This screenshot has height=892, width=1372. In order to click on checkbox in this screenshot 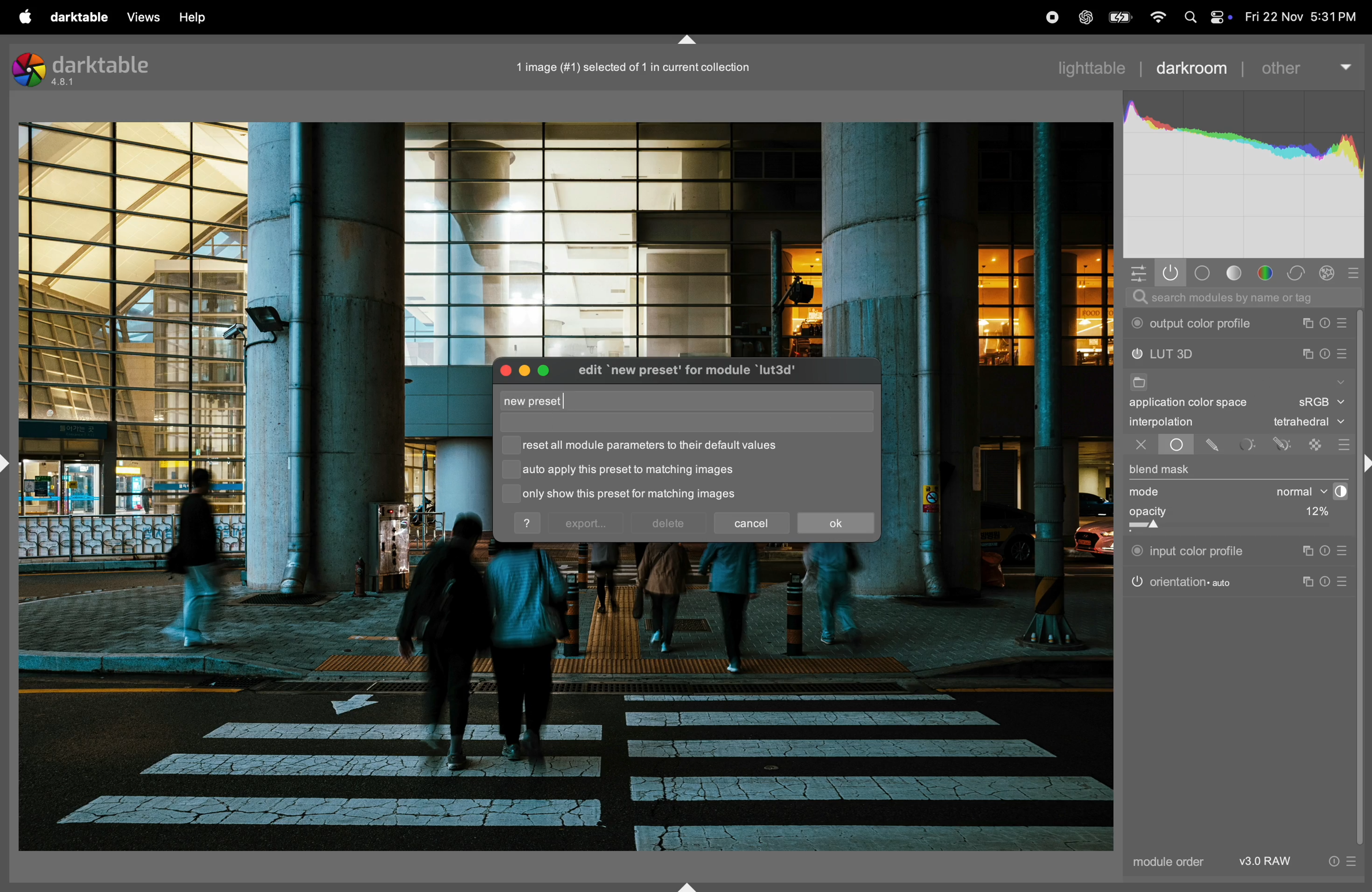, I will do `click(511, 472)`.